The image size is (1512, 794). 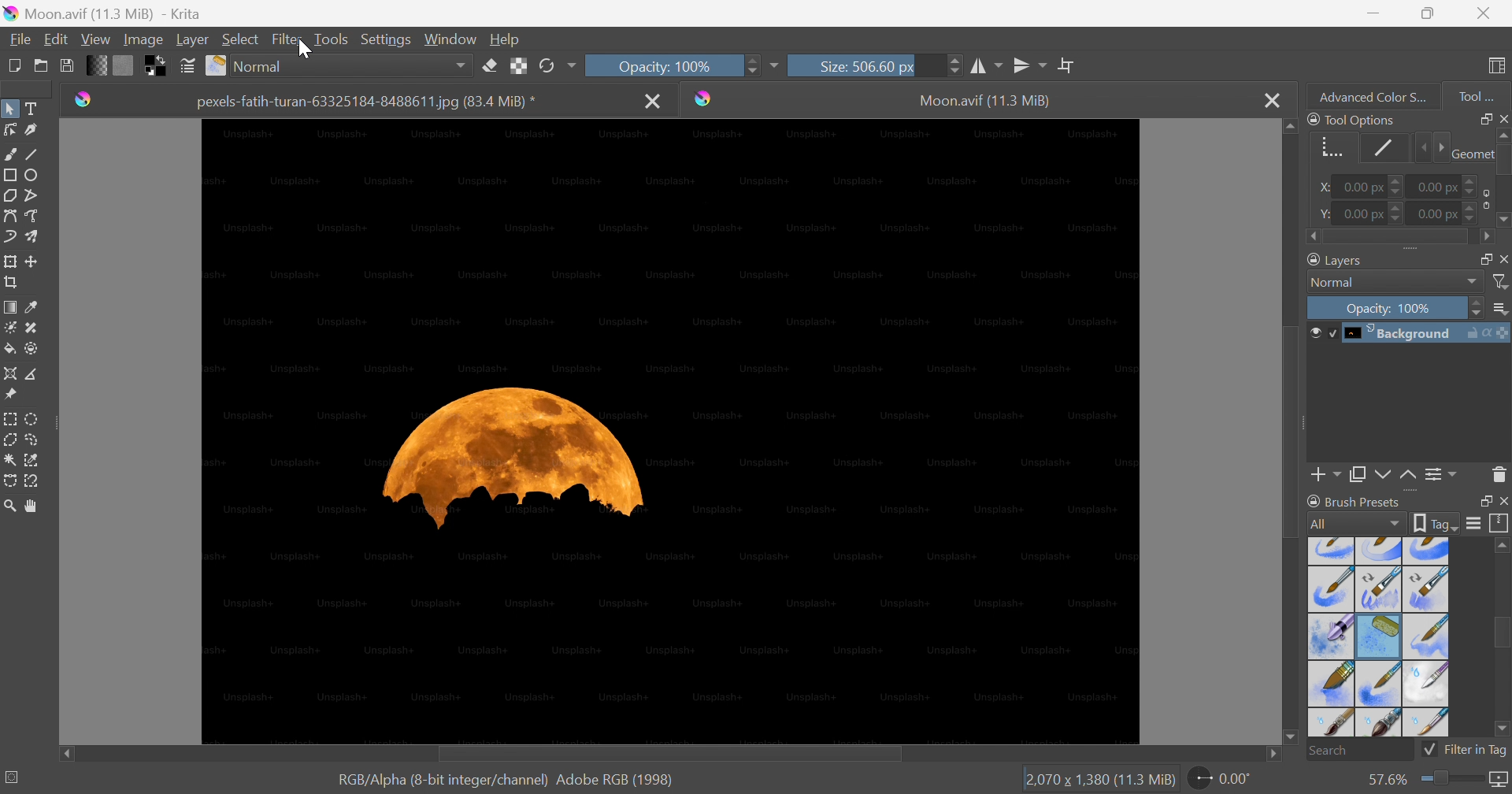 I want to click on Edit shapes tool, so click(x=9, y=129).